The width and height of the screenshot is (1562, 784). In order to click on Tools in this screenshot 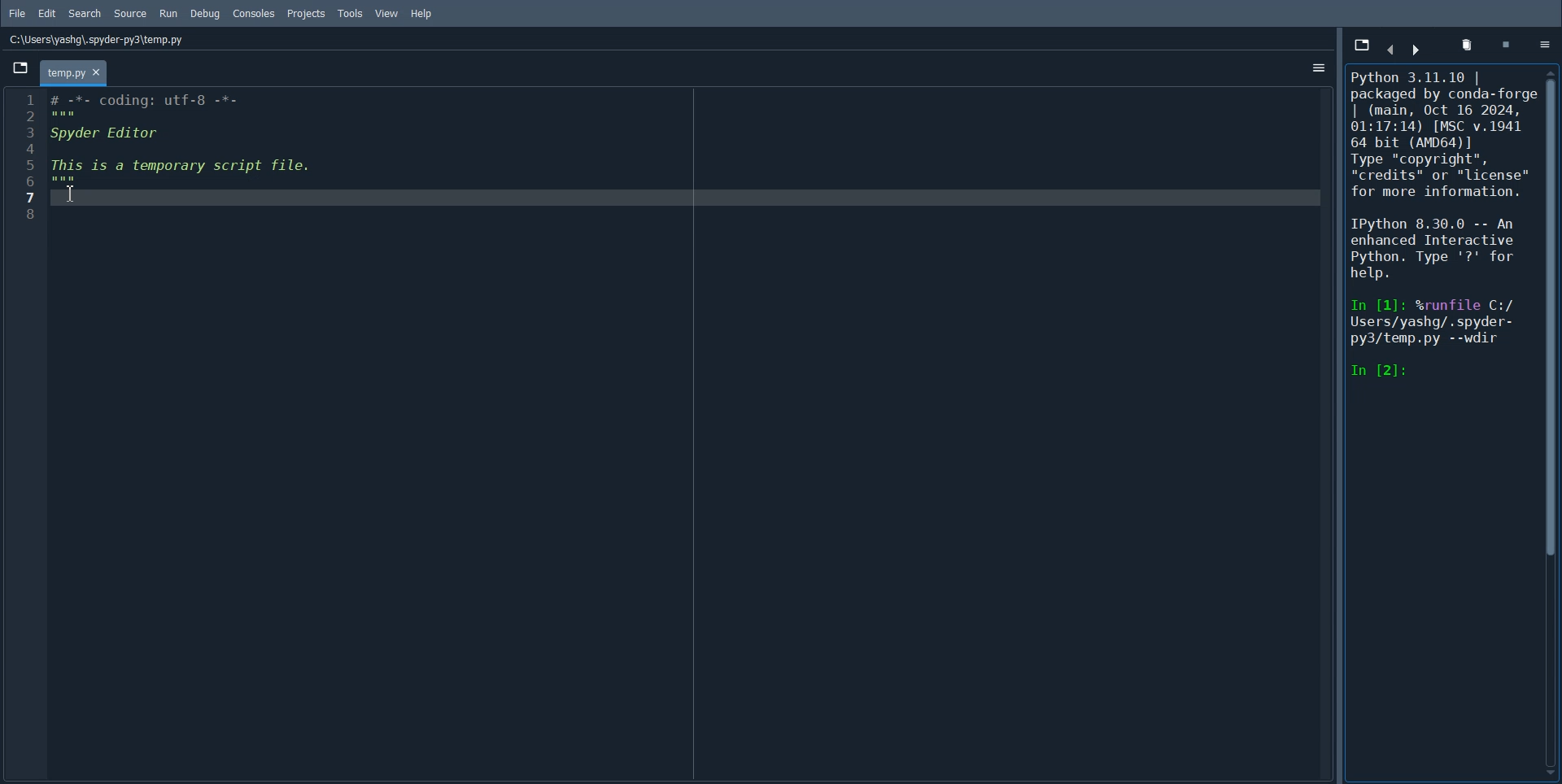, I will do `click(353, 14)`.